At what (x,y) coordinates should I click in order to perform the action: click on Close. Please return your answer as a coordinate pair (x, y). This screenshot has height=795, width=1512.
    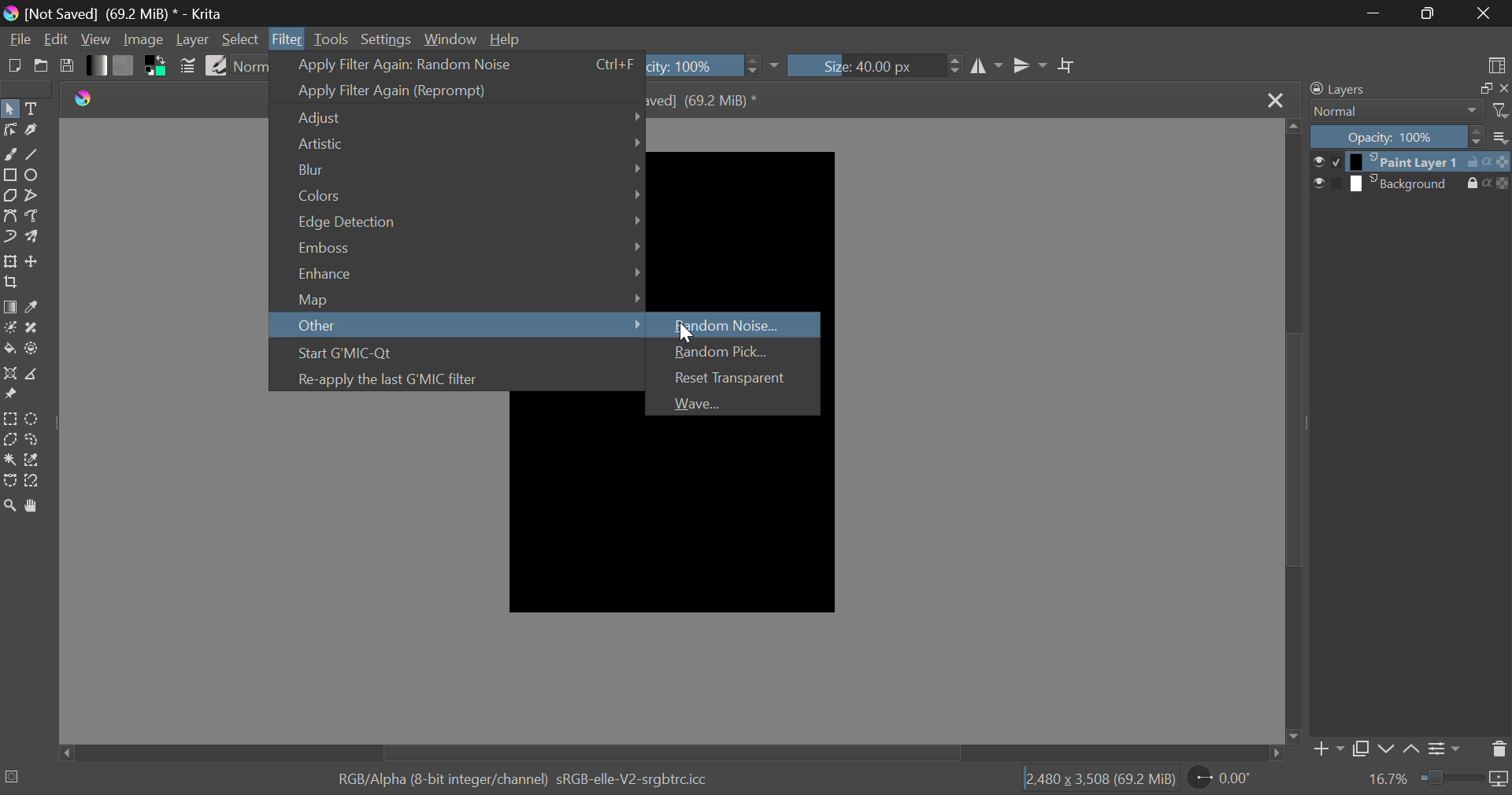
    Looking at the image, I should click on (1484, 13).